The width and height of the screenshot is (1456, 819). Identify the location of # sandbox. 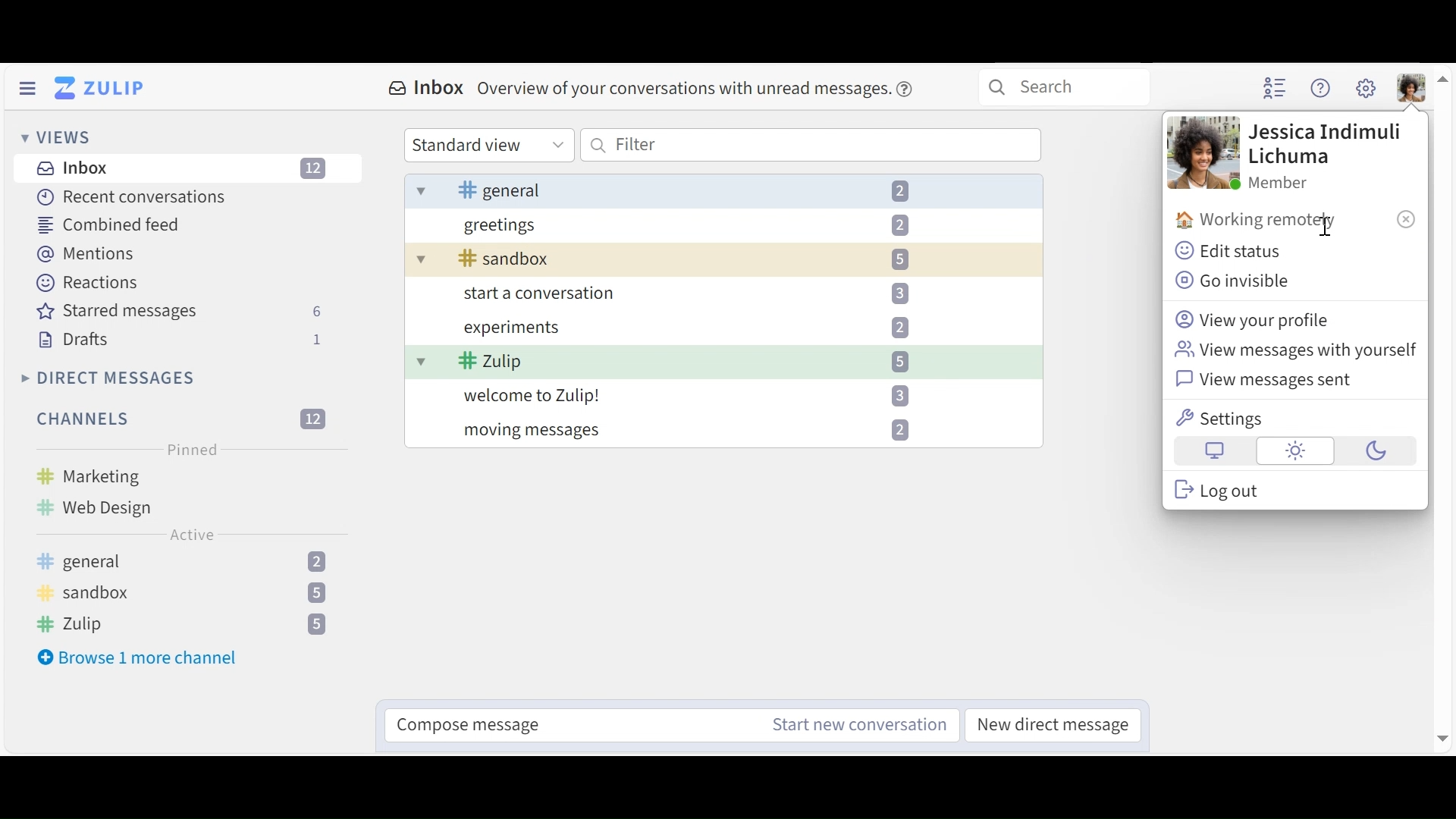
(494, 260).